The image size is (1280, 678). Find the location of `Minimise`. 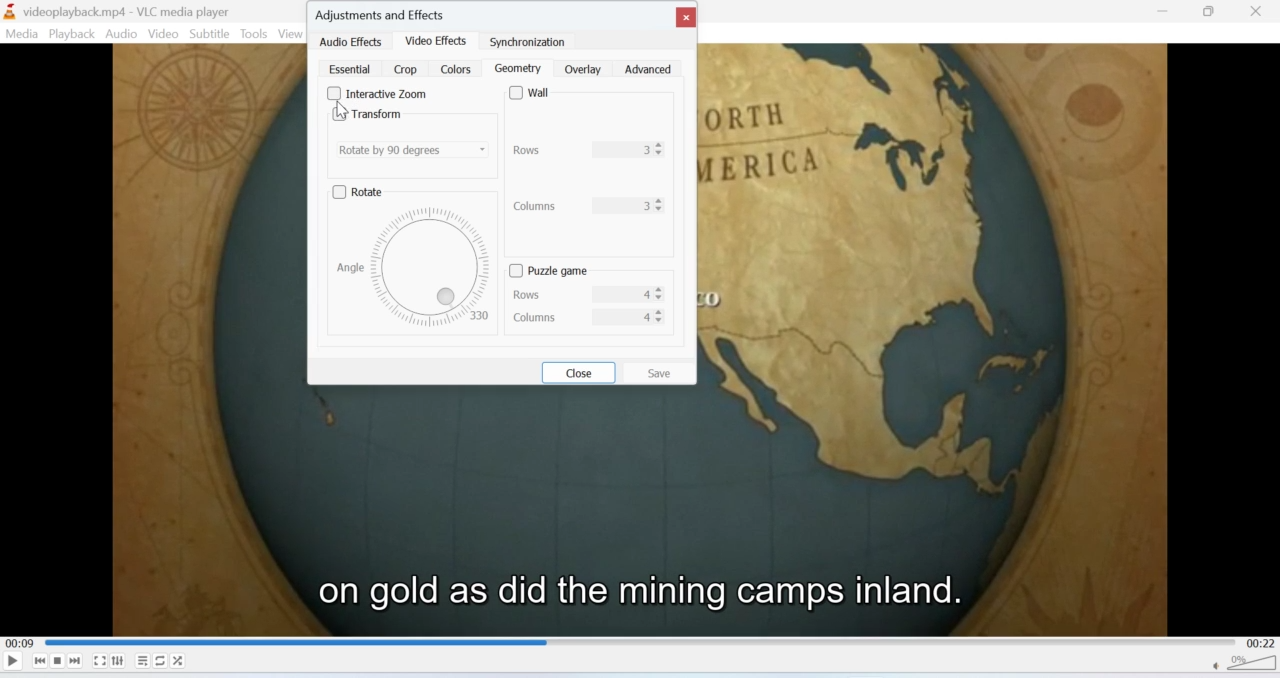

Minimise is located at coordinates (1166, 10).